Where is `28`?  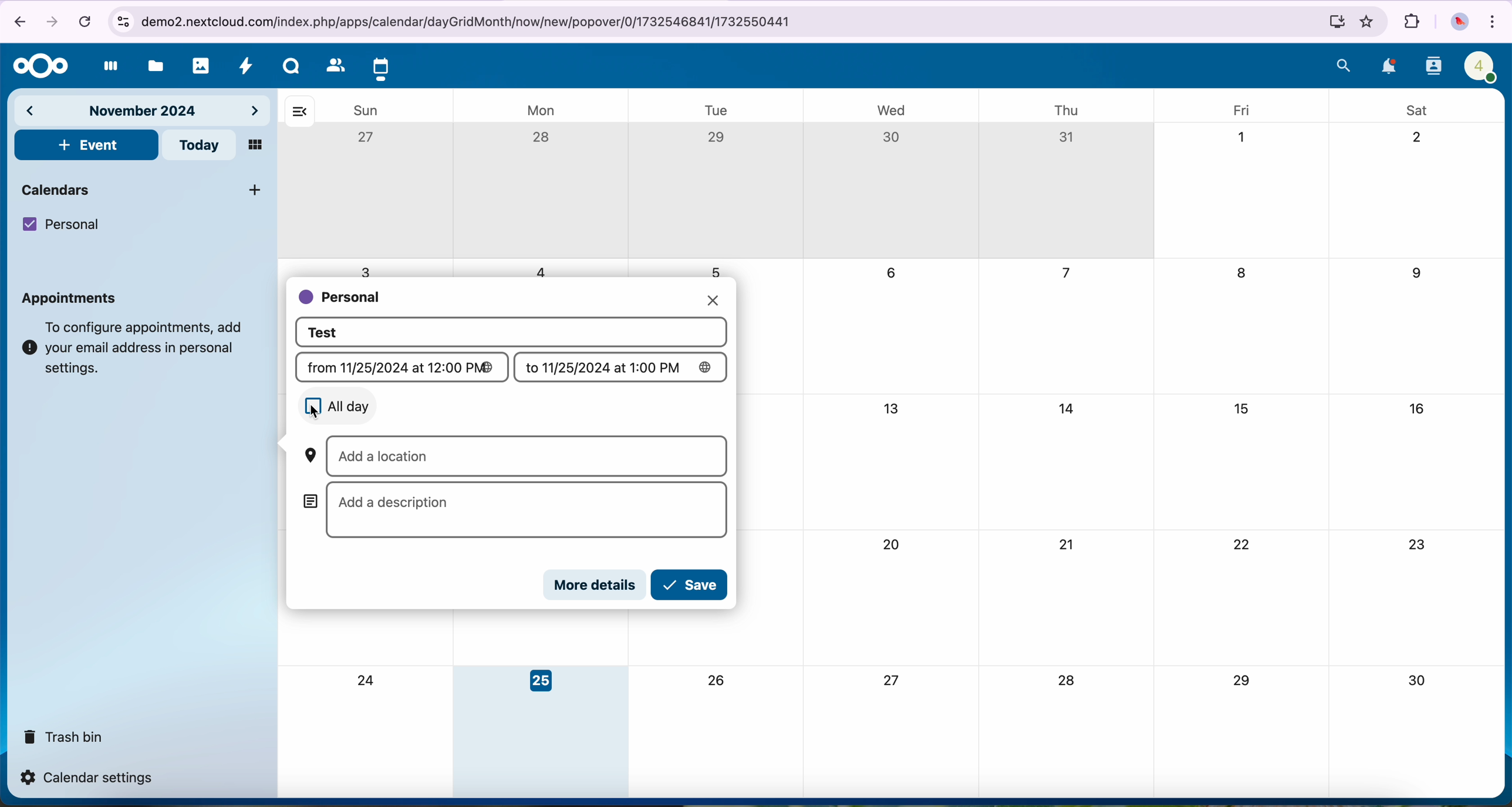 28 is located at coordinates (1067, 682).